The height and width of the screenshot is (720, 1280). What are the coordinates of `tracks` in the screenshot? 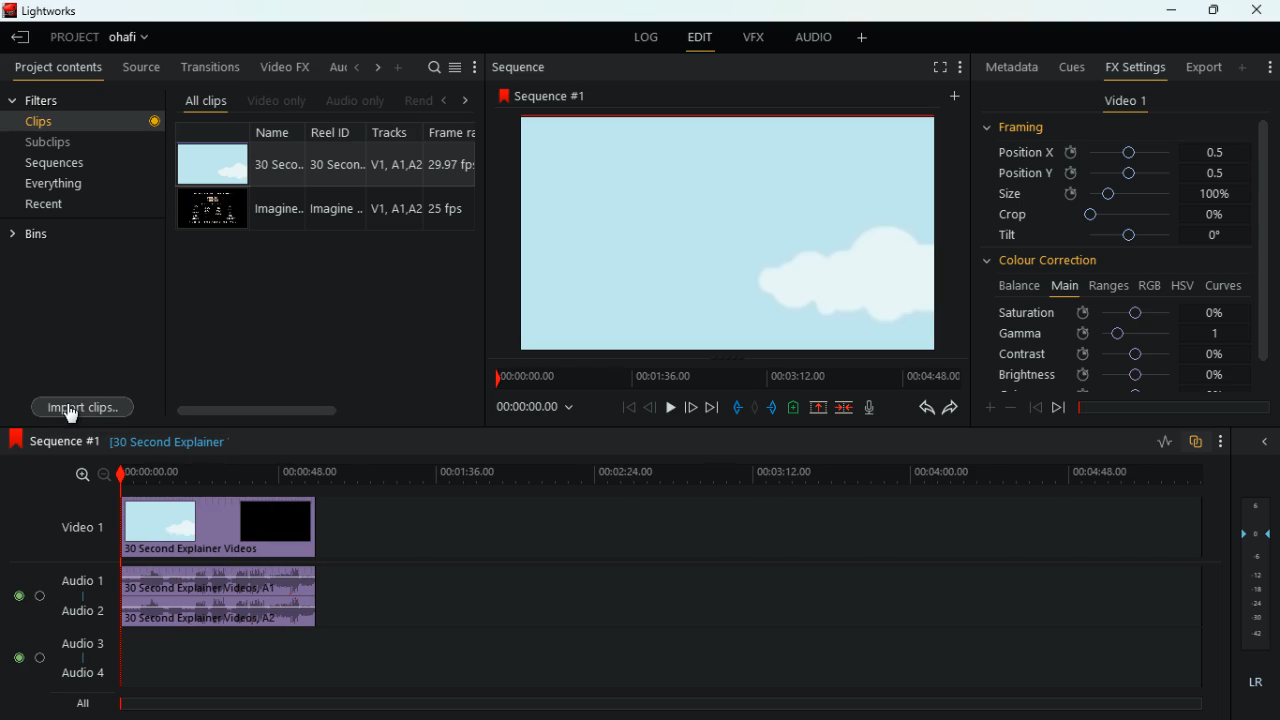 It's located at (390, 177).